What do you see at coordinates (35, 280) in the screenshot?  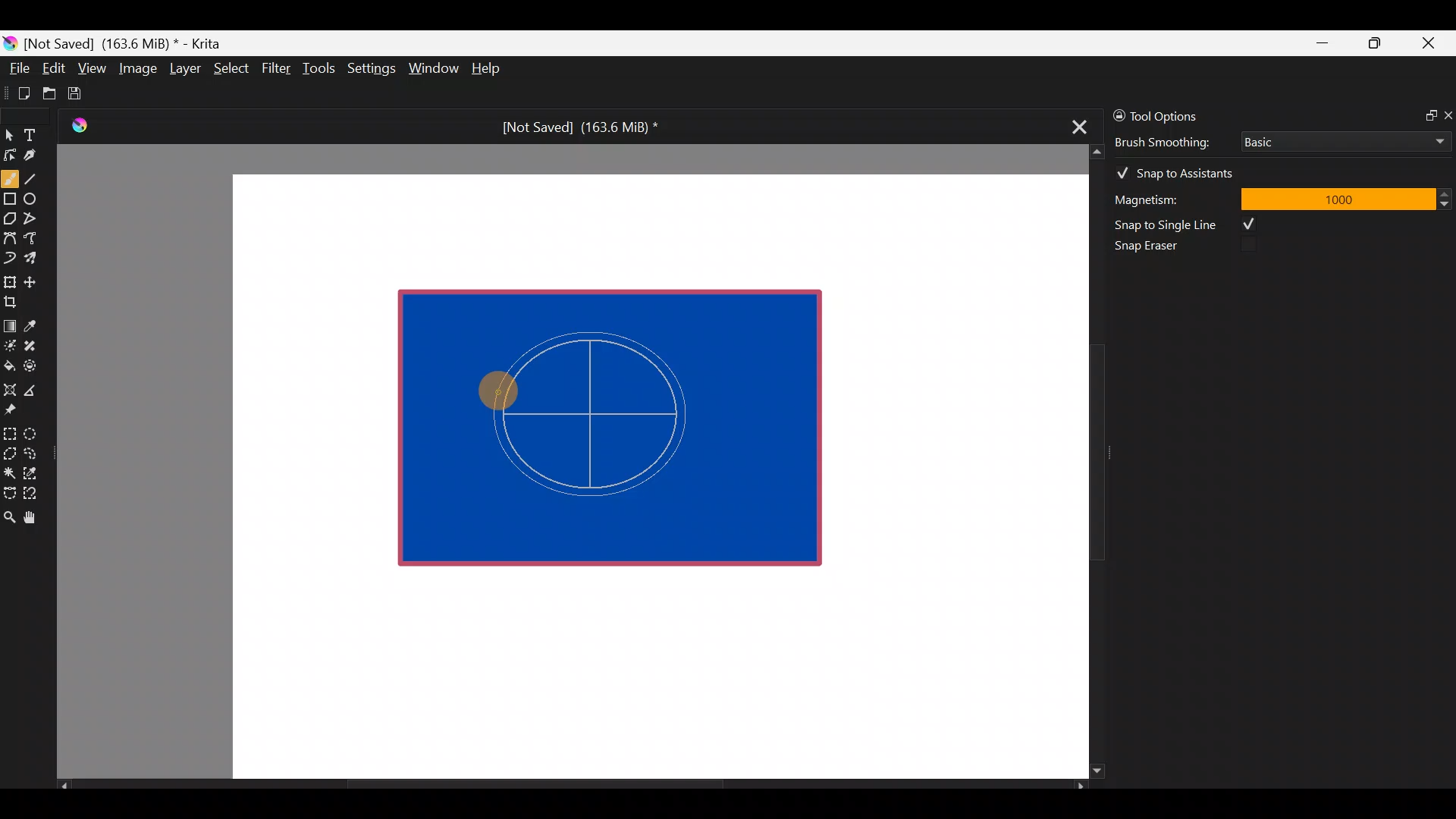 I see `Move a layer` at bounding box center [35, 280].